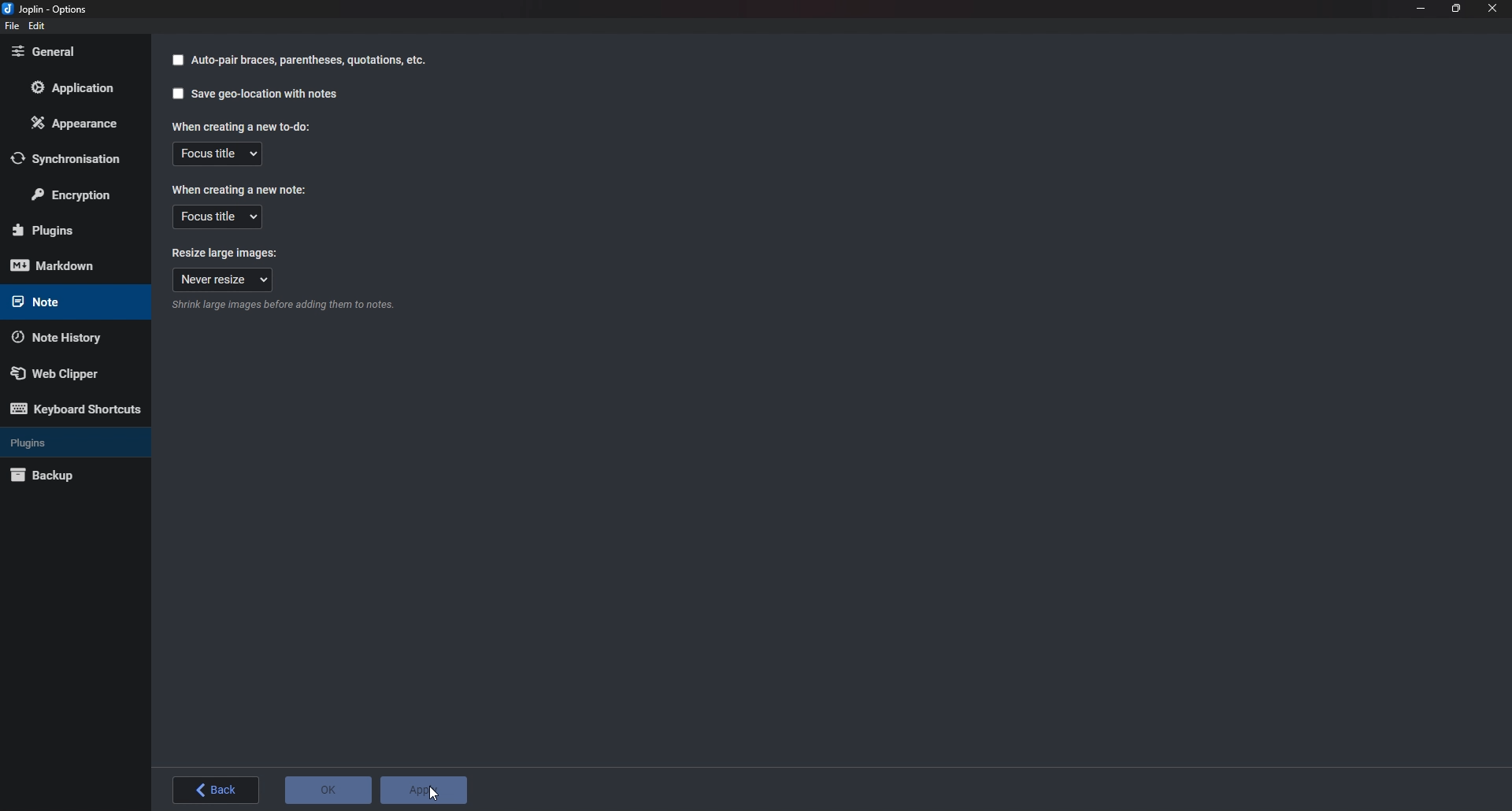 The width and height of the screenshot is (1512, 811). Describe the element at coordinates (224, 280) in the screenshot. I see `Never resize` at that location.